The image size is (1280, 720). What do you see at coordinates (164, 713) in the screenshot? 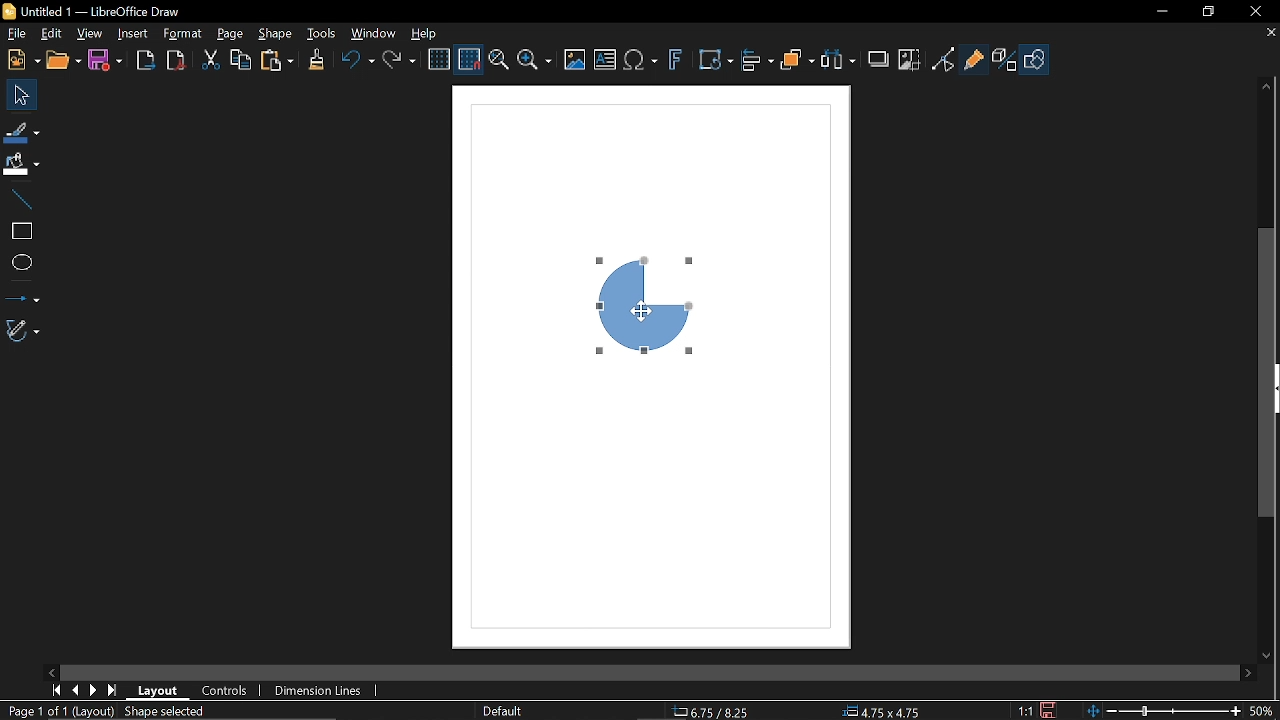
I see `shape selected` at bounding box center [164, 713].